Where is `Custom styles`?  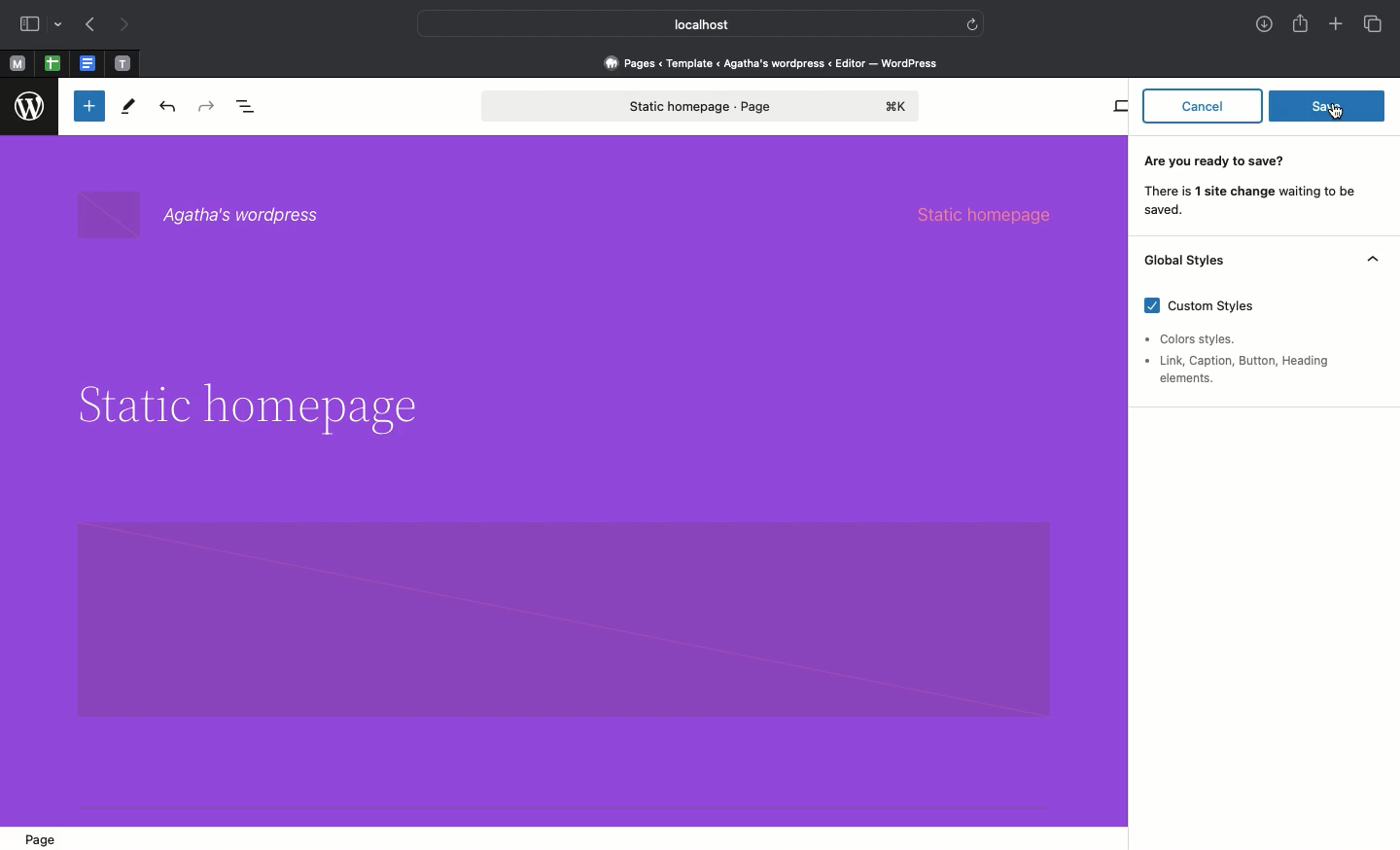
Custom styles is located at coordinates (1208, 309).